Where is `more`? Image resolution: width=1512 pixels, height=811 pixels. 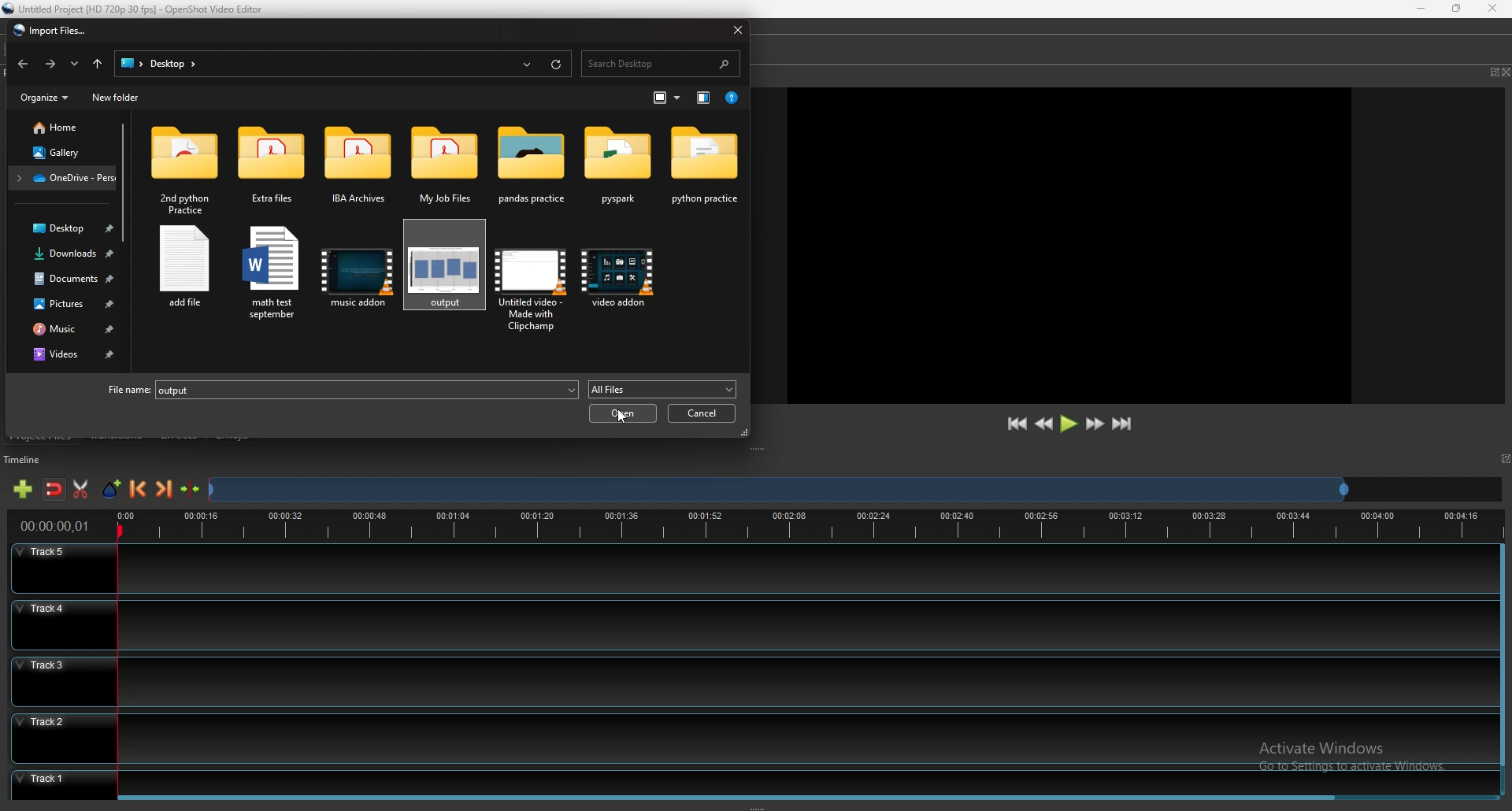 more is located at coordinates (666, 95).